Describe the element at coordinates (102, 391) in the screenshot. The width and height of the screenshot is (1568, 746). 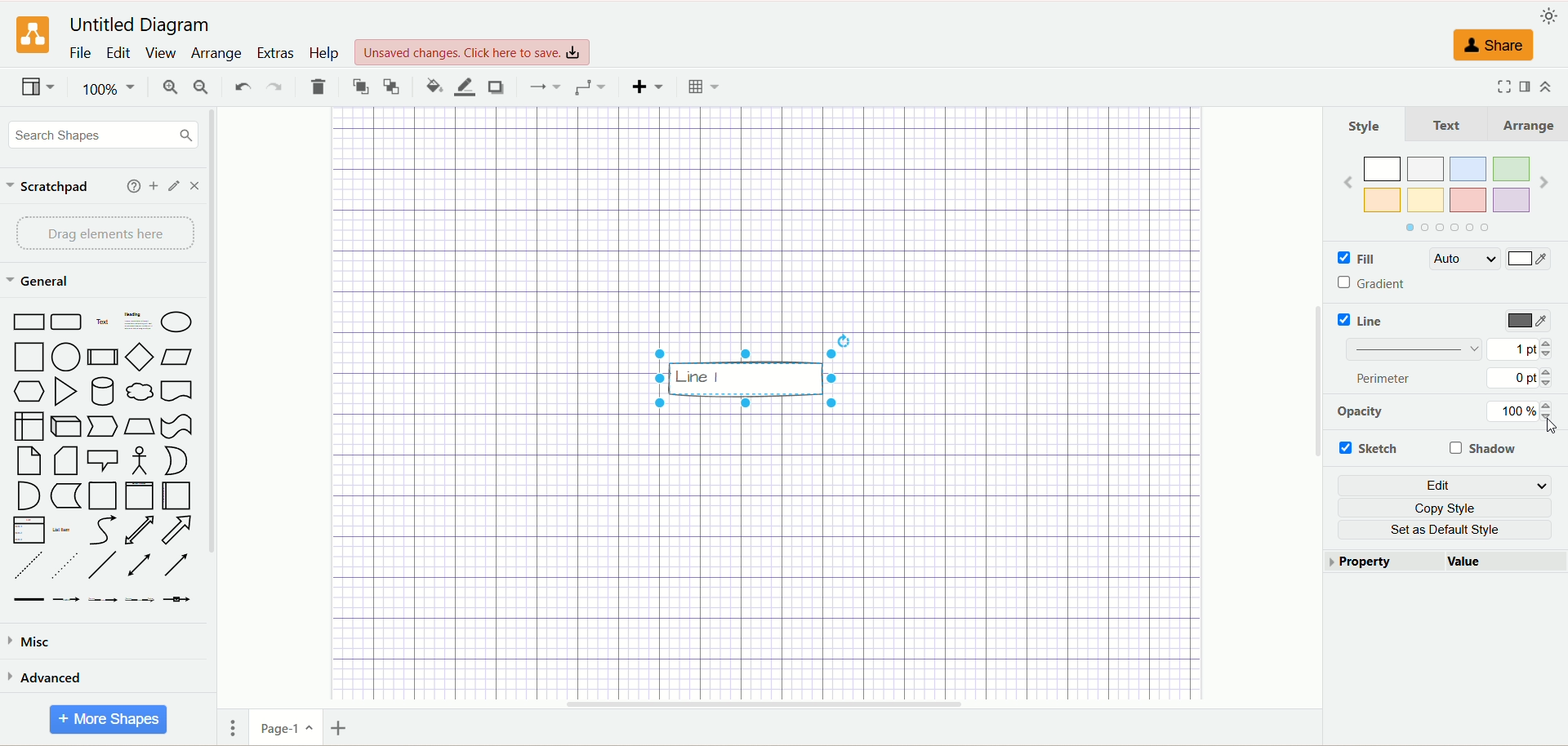
I see `Cylinder` at that location.